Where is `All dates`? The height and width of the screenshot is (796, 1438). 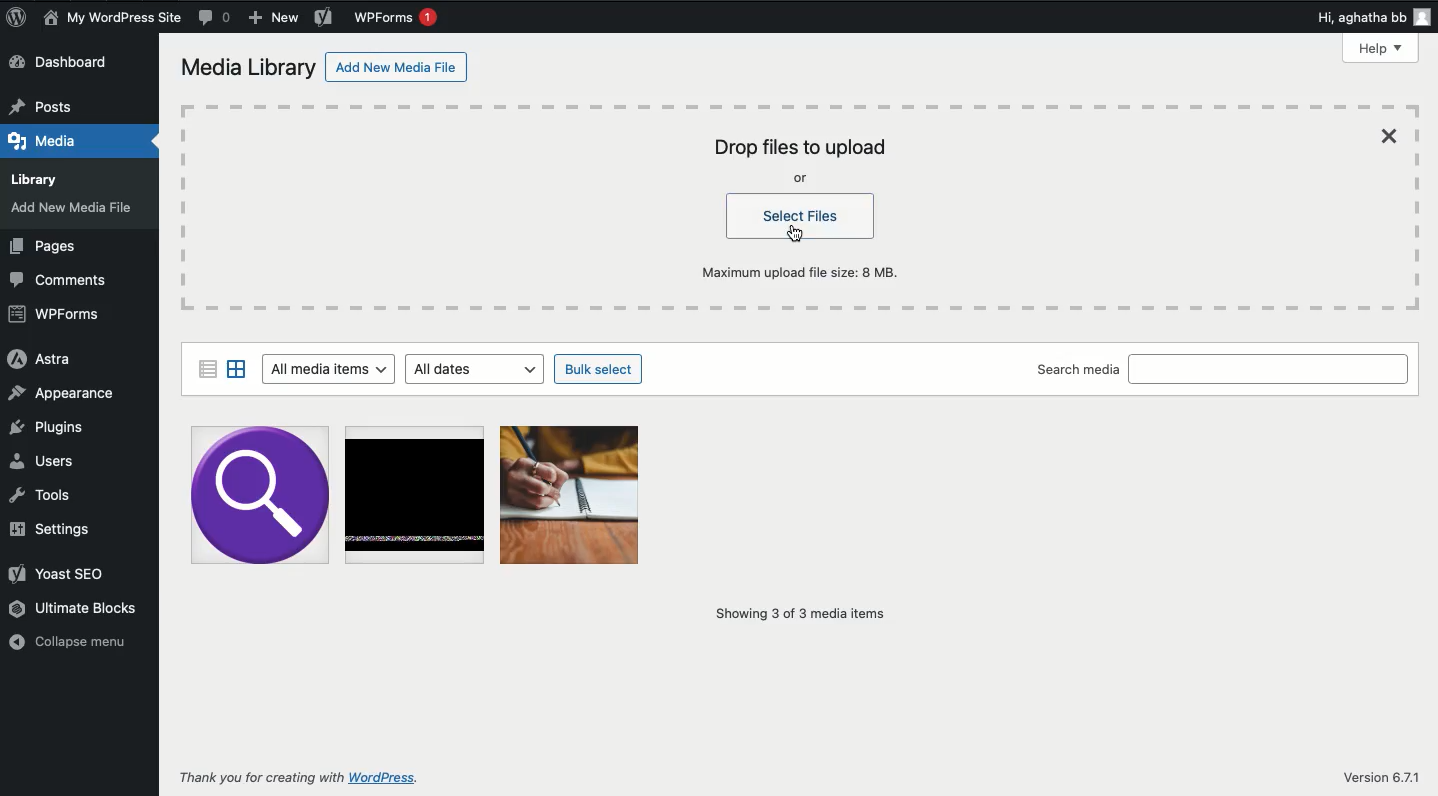 All dates is located at coordinates (479, 369).